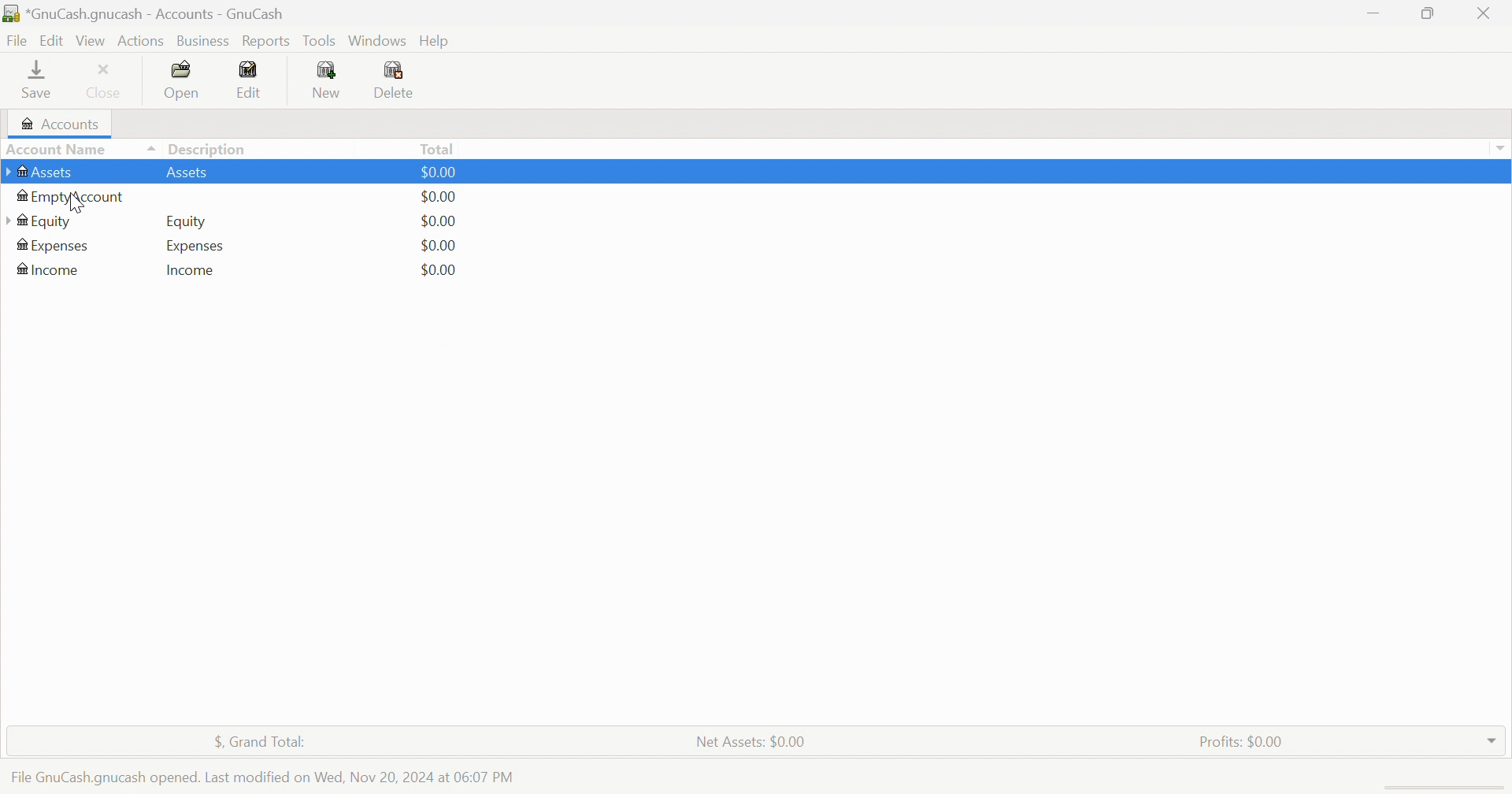  What do you see at coordinates (105, 81) in the screenshot?
I see `Close` at bounding box center [105, 81].